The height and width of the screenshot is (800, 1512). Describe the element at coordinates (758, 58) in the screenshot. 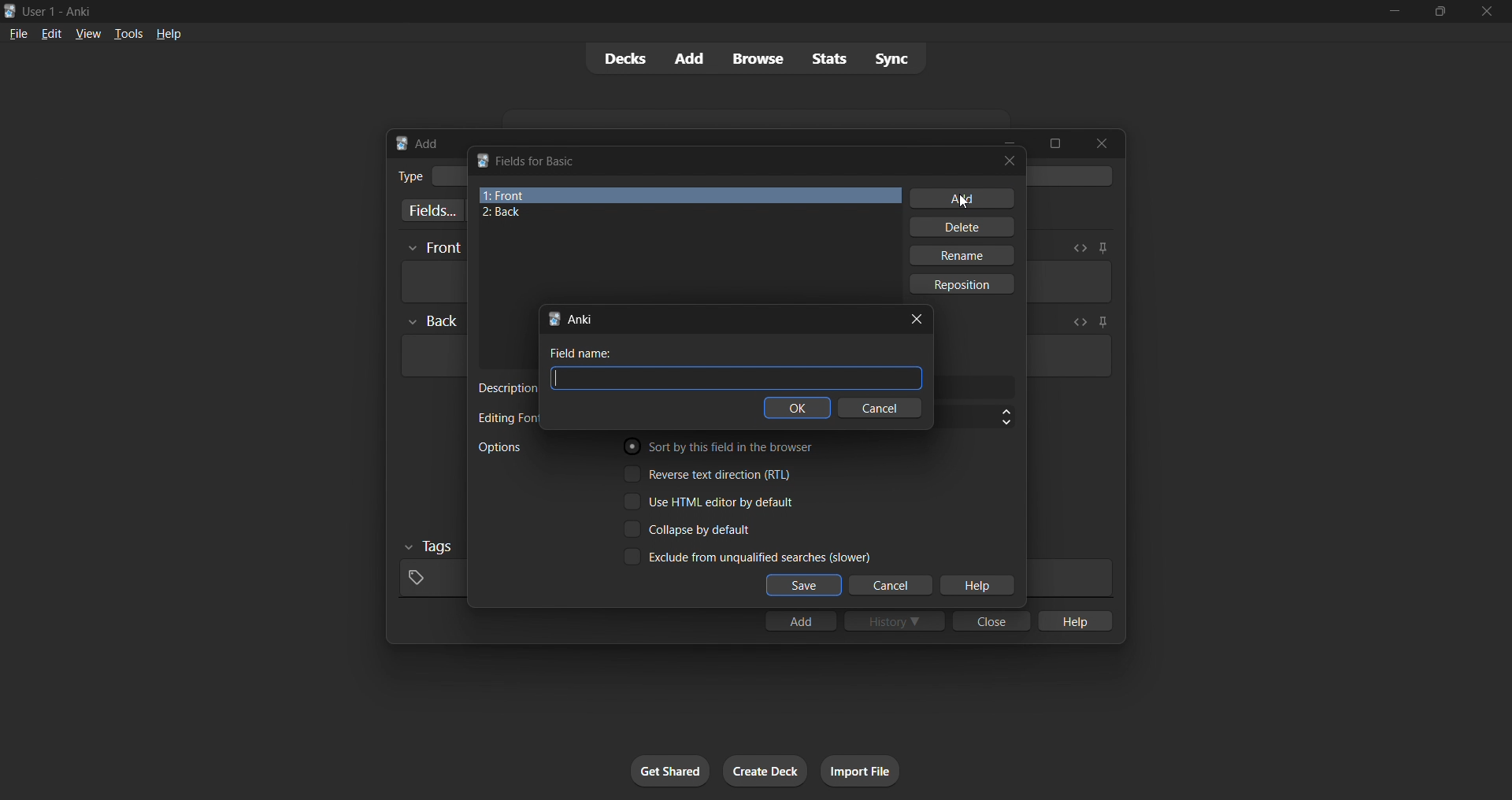

I see `browse` at that location.